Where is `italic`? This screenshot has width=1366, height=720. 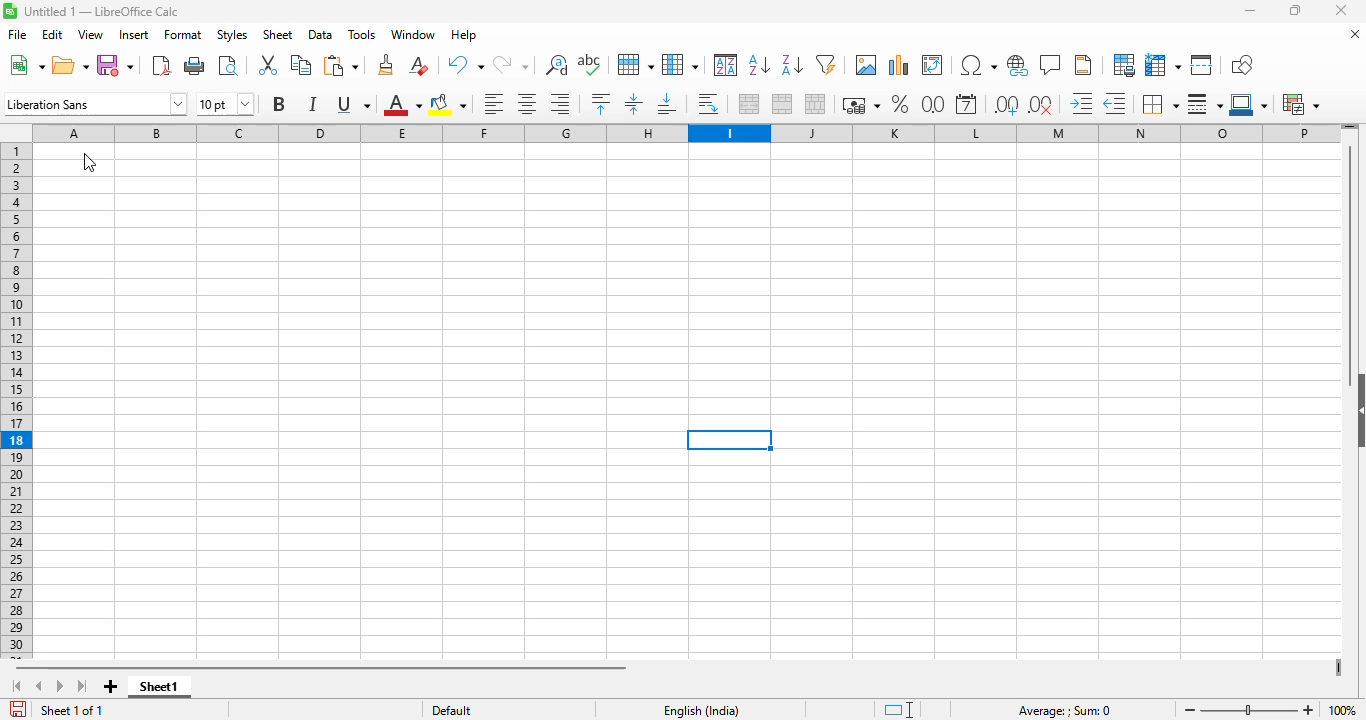
italic is located at coordinates (312, 104).